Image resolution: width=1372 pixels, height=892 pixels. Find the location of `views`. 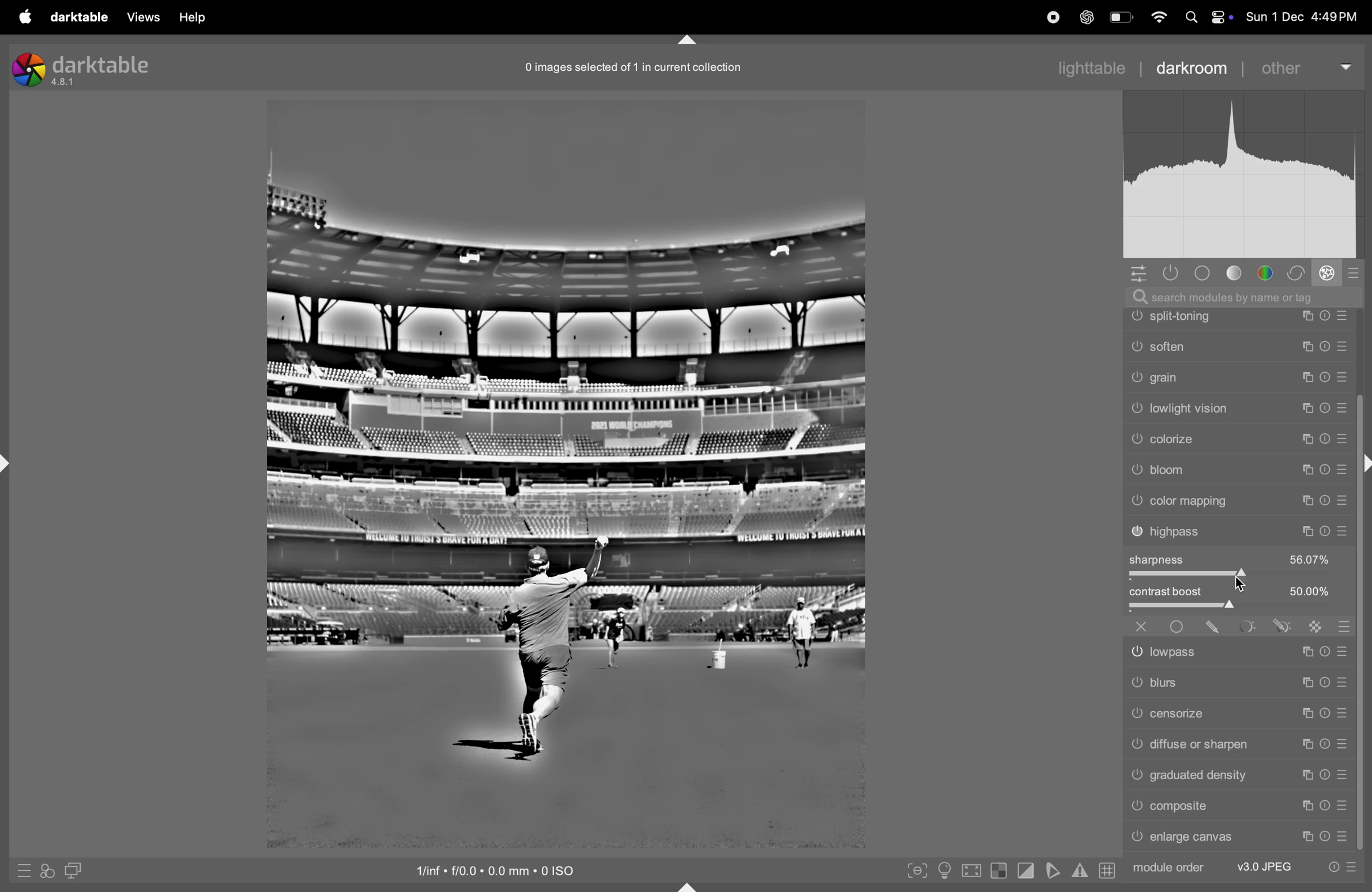

views is located at coordinates (142, 17).